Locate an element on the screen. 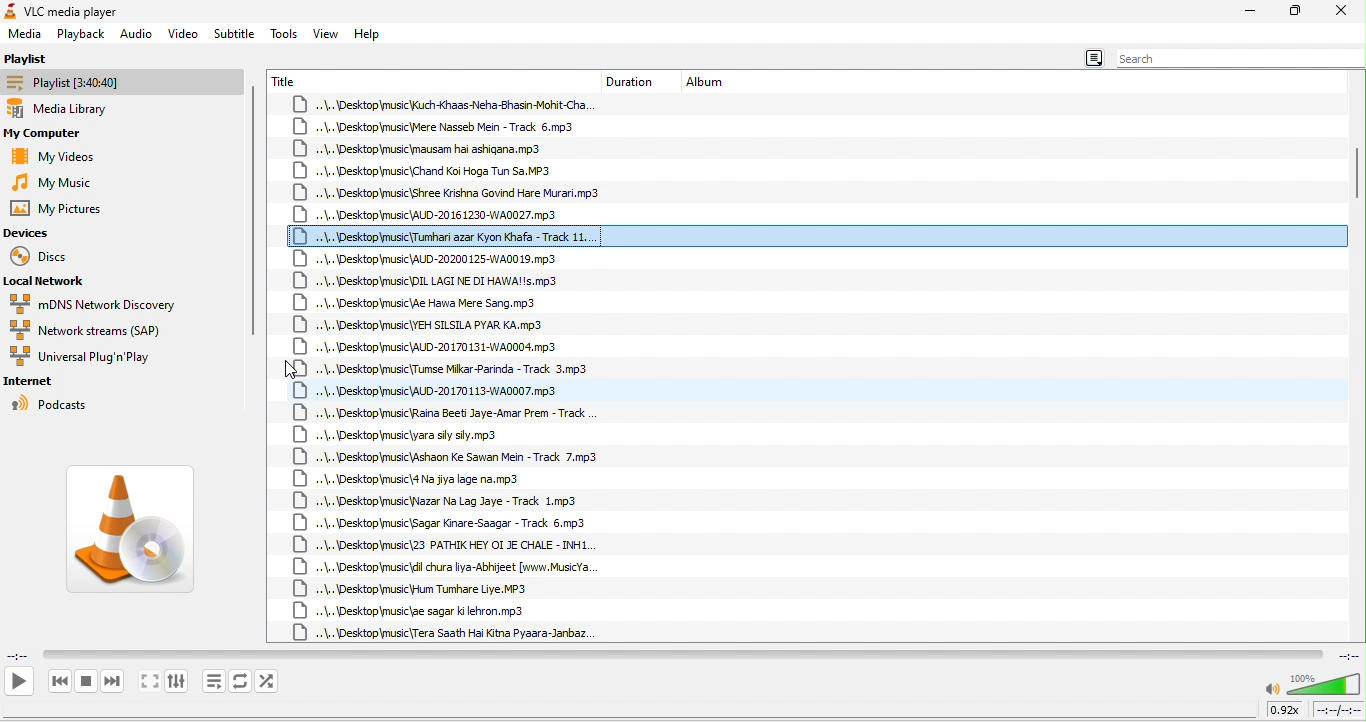  maximize is located at coordinates (1296, 12).